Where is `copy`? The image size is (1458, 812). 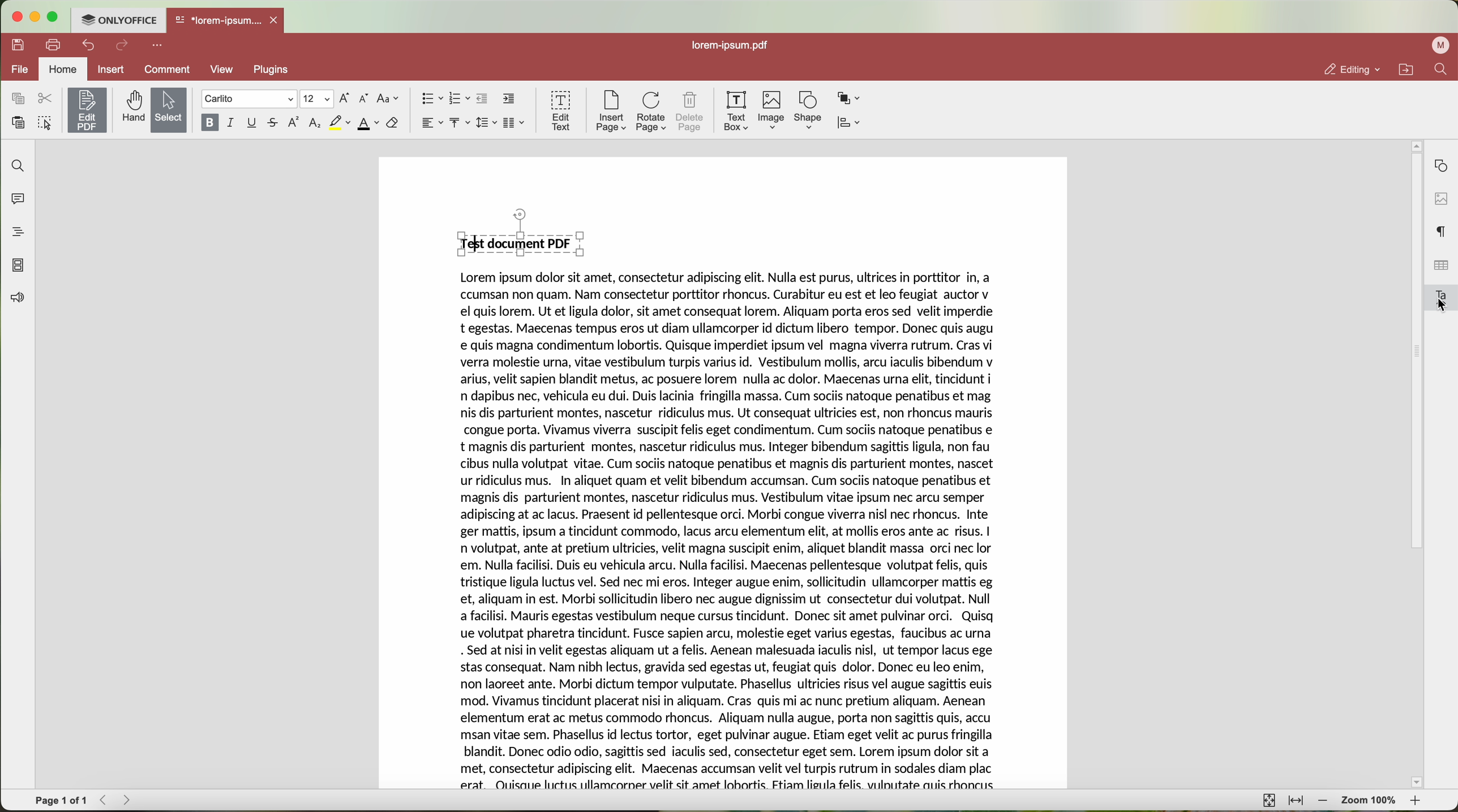 copy is located at coordinates (18, 98).